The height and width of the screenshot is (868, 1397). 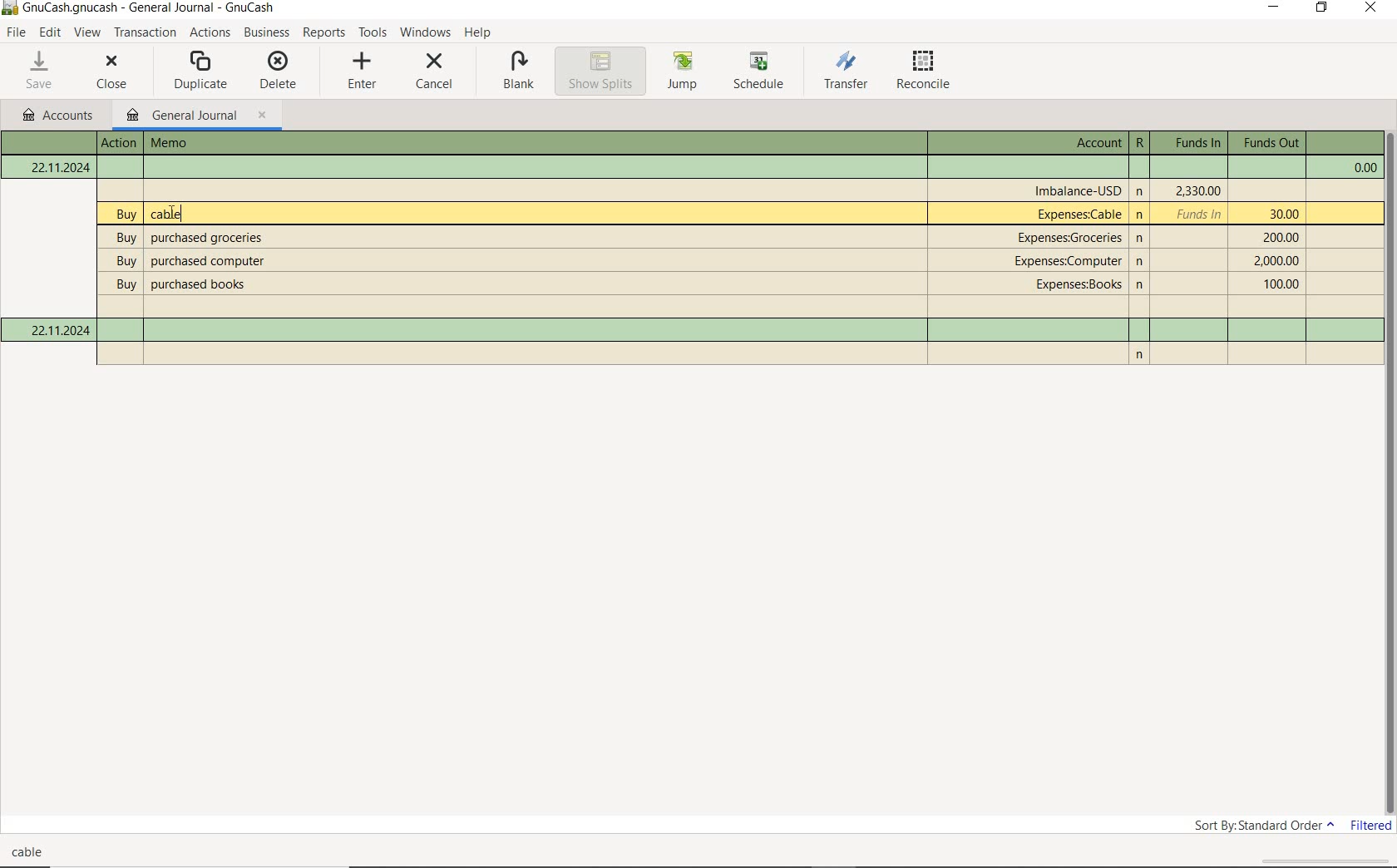 I want to click on Text, so click(x=702, y=238).